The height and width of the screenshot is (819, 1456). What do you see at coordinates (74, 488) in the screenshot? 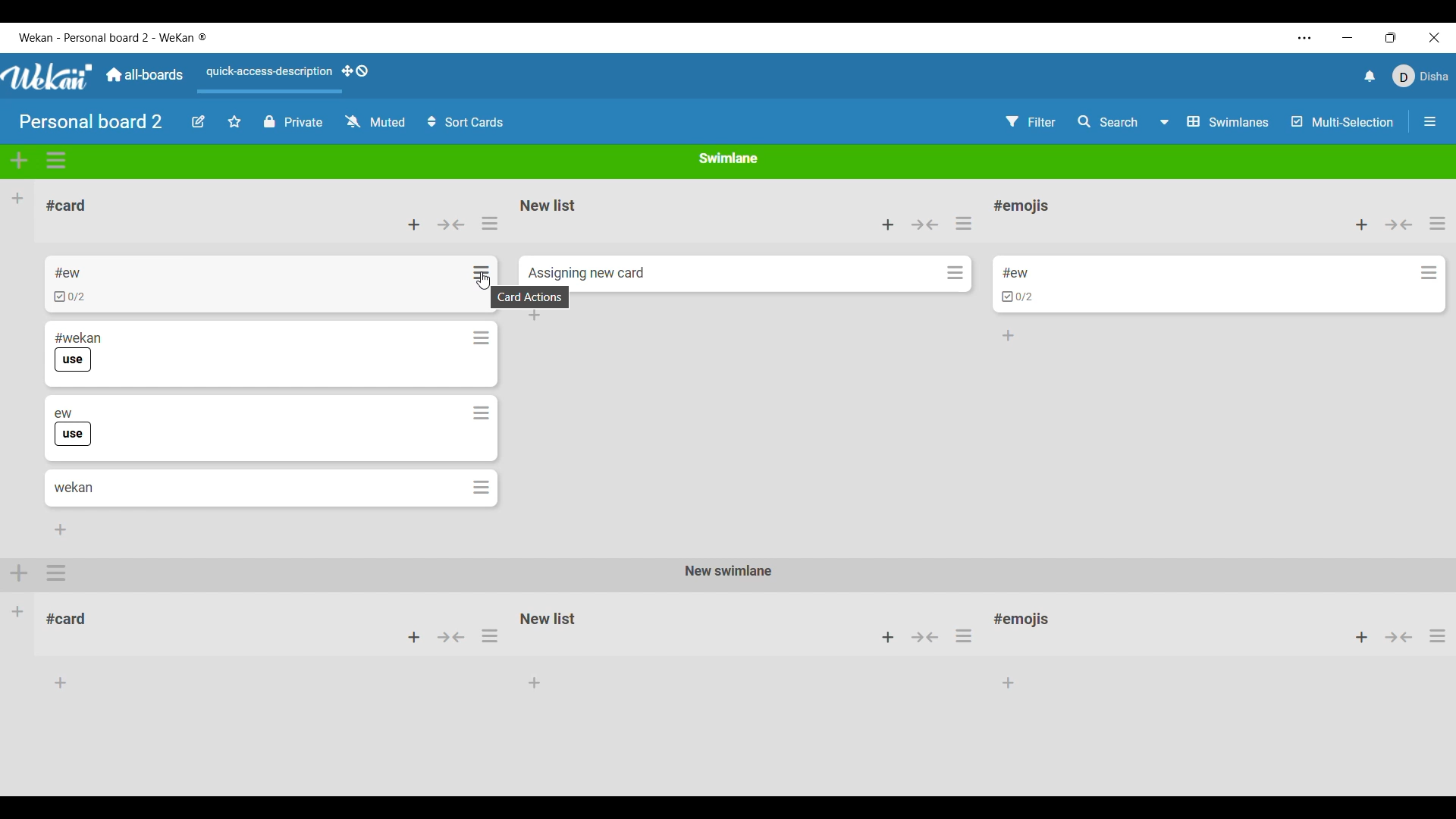
I see `Card title` at bounding box center [74, 488].